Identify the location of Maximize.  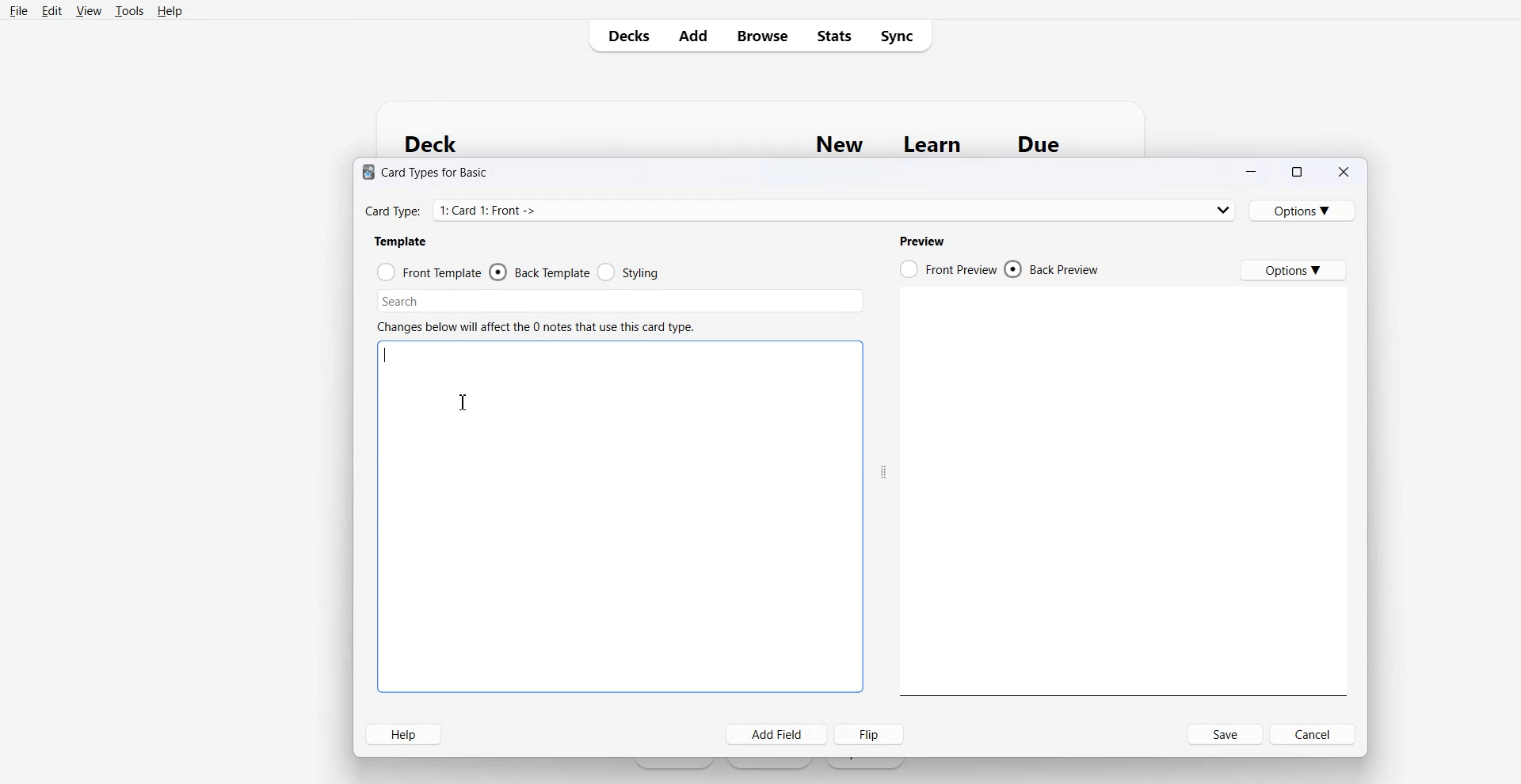
(1295, 173).